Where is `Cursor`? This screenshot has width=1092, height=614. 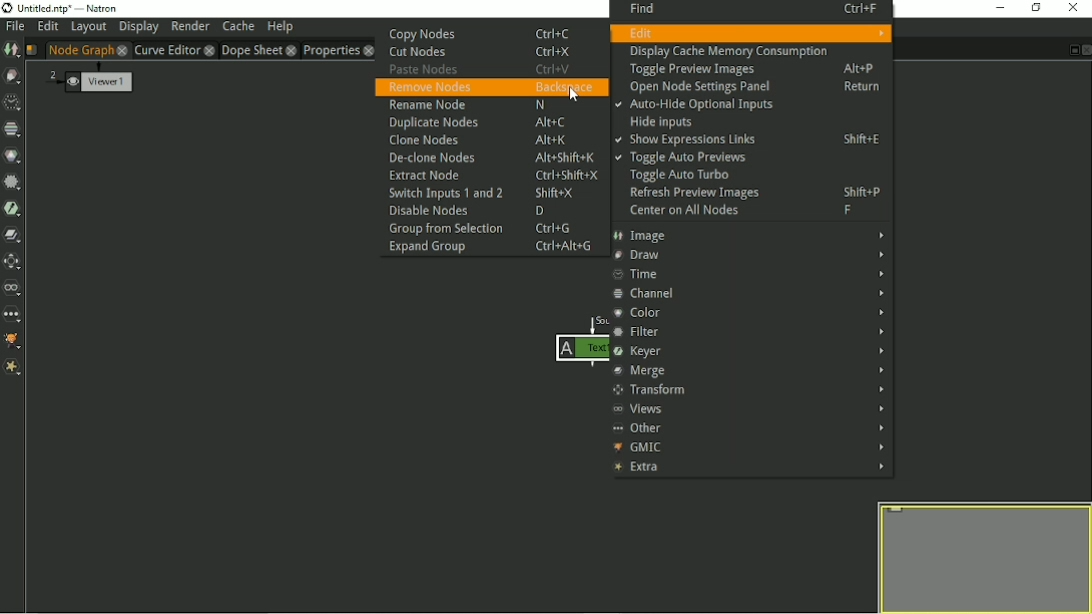
Cursor is located at coordinates (569, 95).